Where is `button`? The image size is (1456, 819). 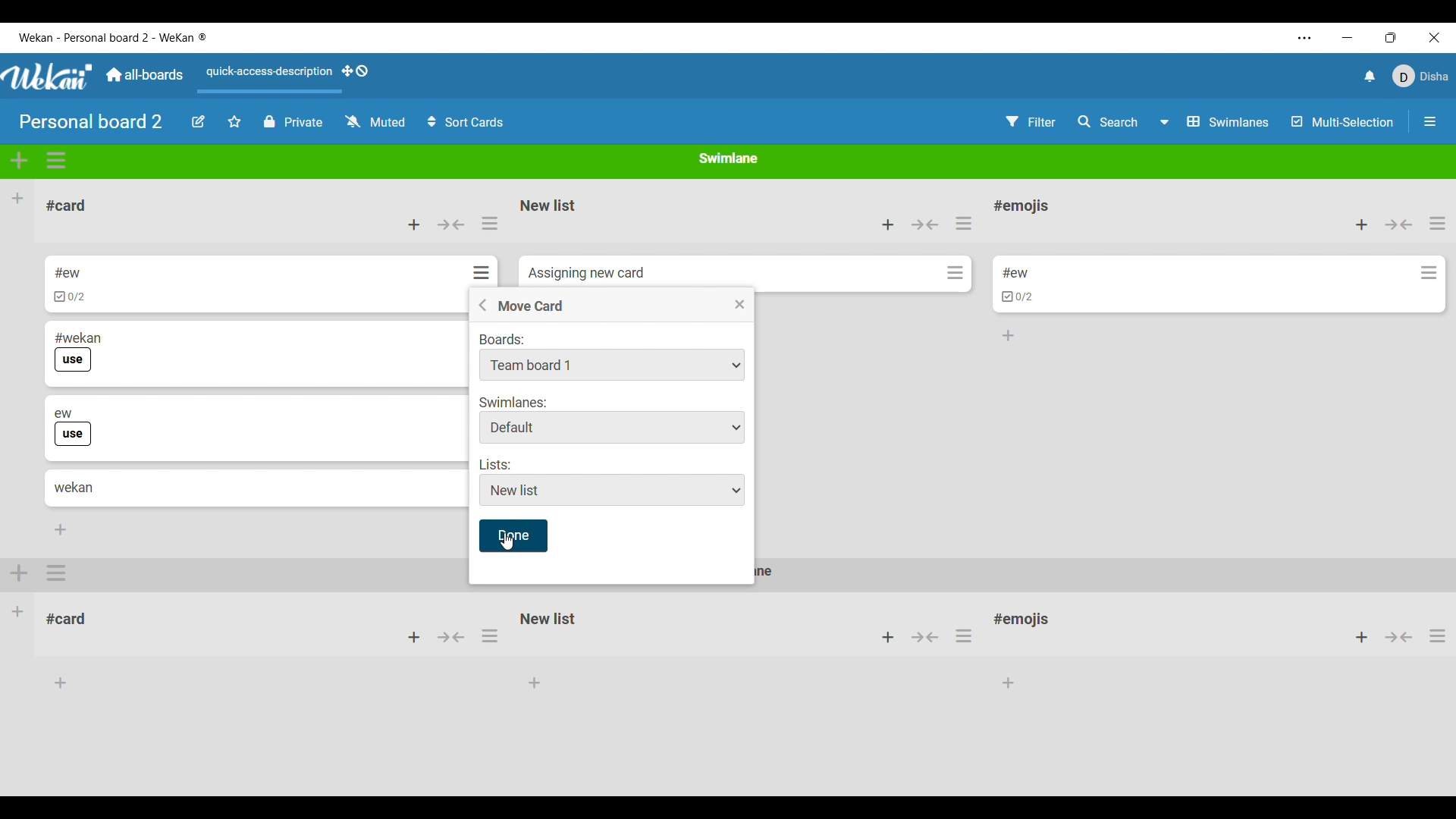 button is located at coordinates (925, 636).